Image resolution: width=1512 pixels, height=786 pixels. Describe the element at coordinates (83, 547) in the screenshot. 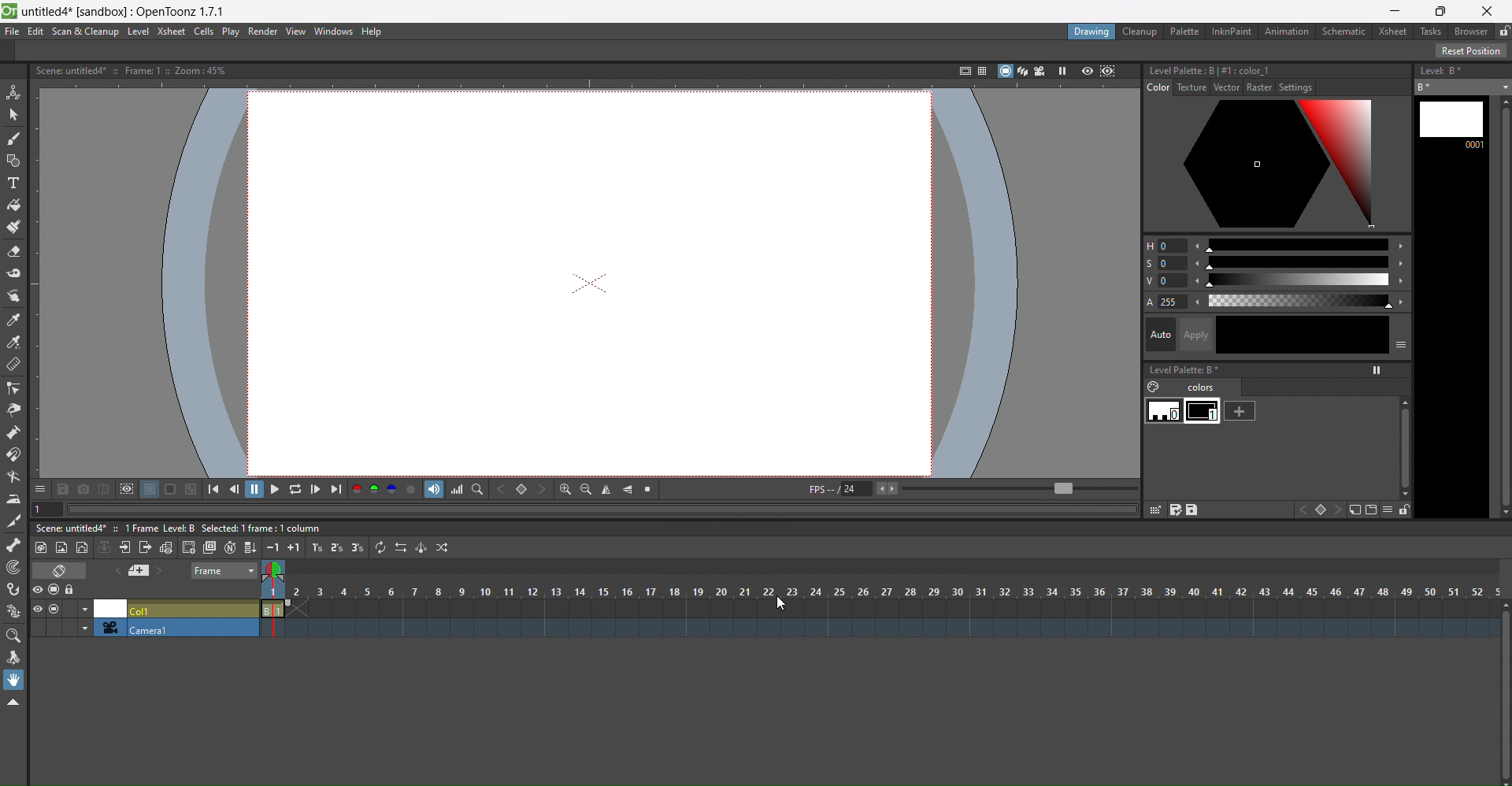

I see `new vector level` at that location.